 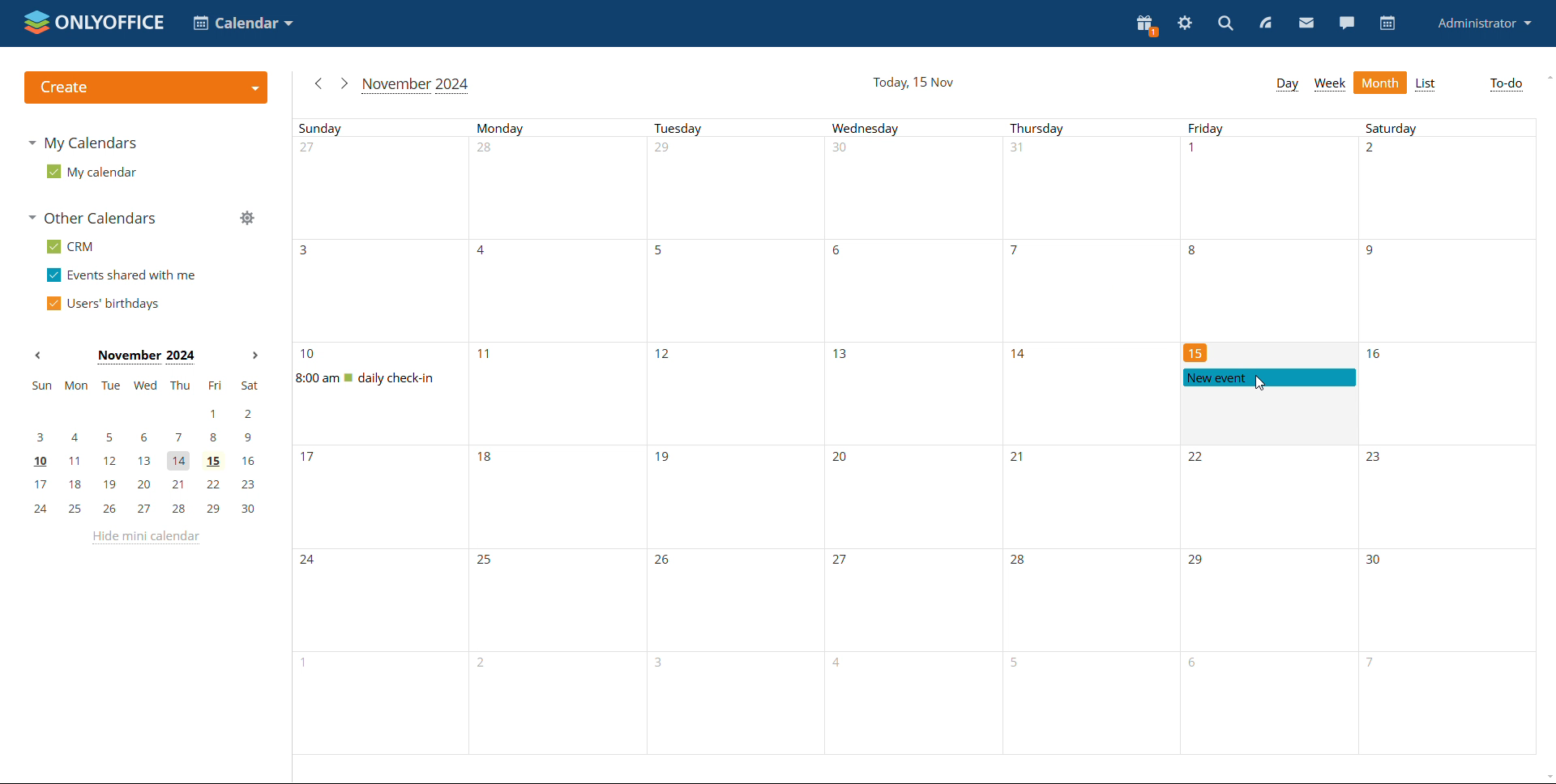 What do you see at coordinates (92, 172) in the screenshot?
I see `my calendar` at bounding box center [92, 172].